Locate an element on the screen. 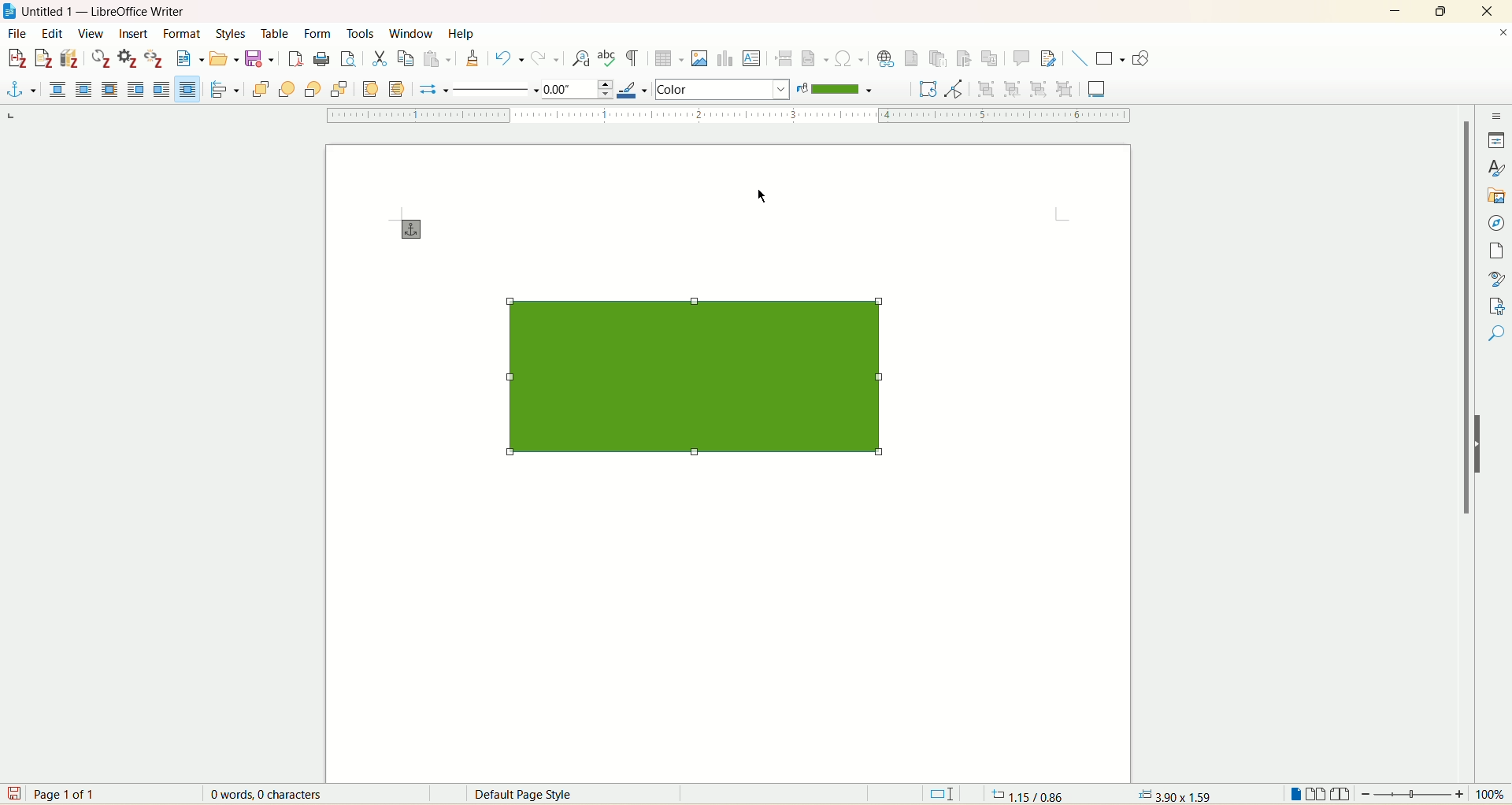 The width and height of the screenshot is (1512, 805). manage changes is located at coordinates (1499, 307).